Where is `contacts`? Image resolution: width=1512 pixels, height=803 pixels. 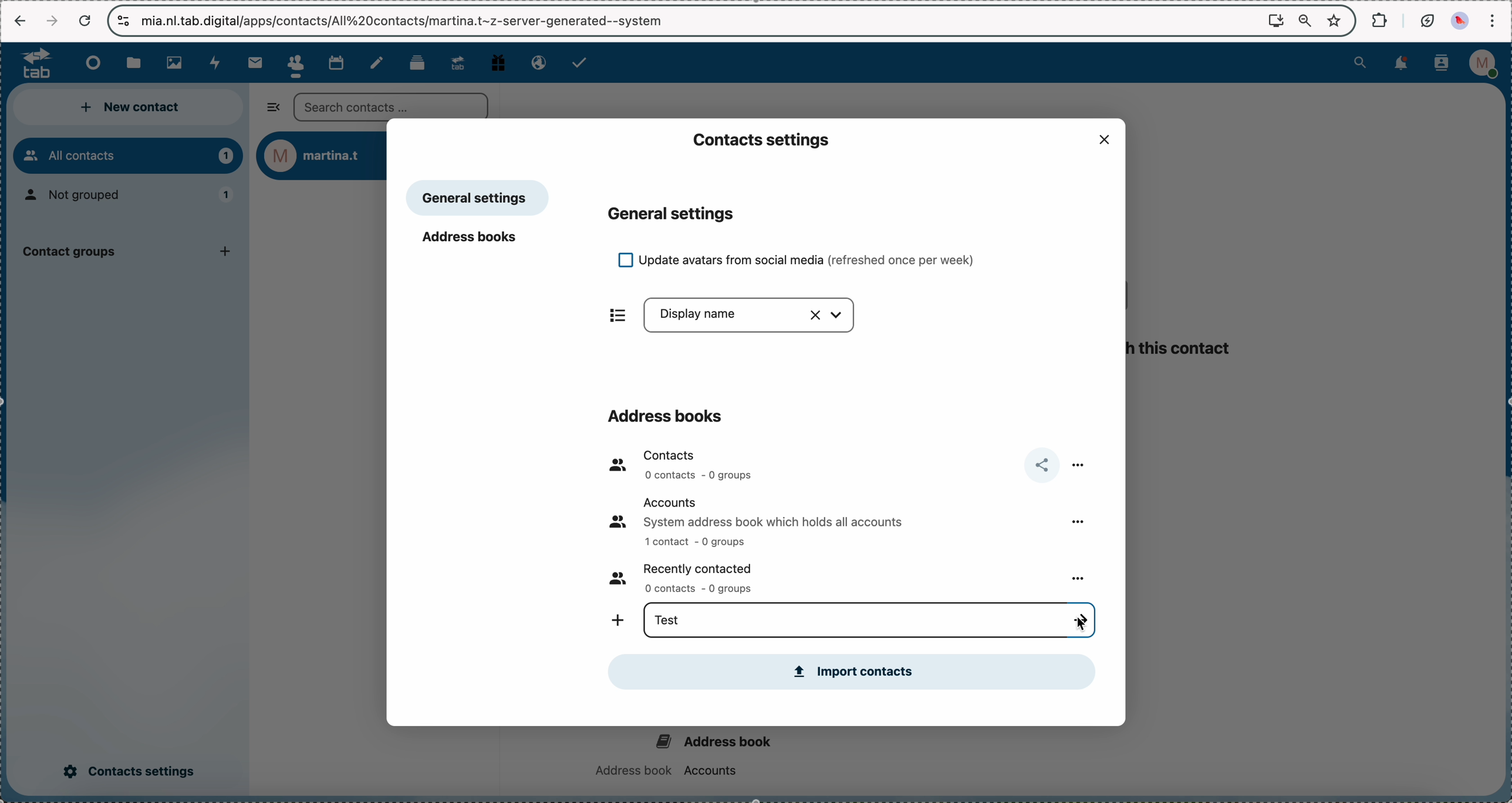 contacts is located at coordinates (679, 465).